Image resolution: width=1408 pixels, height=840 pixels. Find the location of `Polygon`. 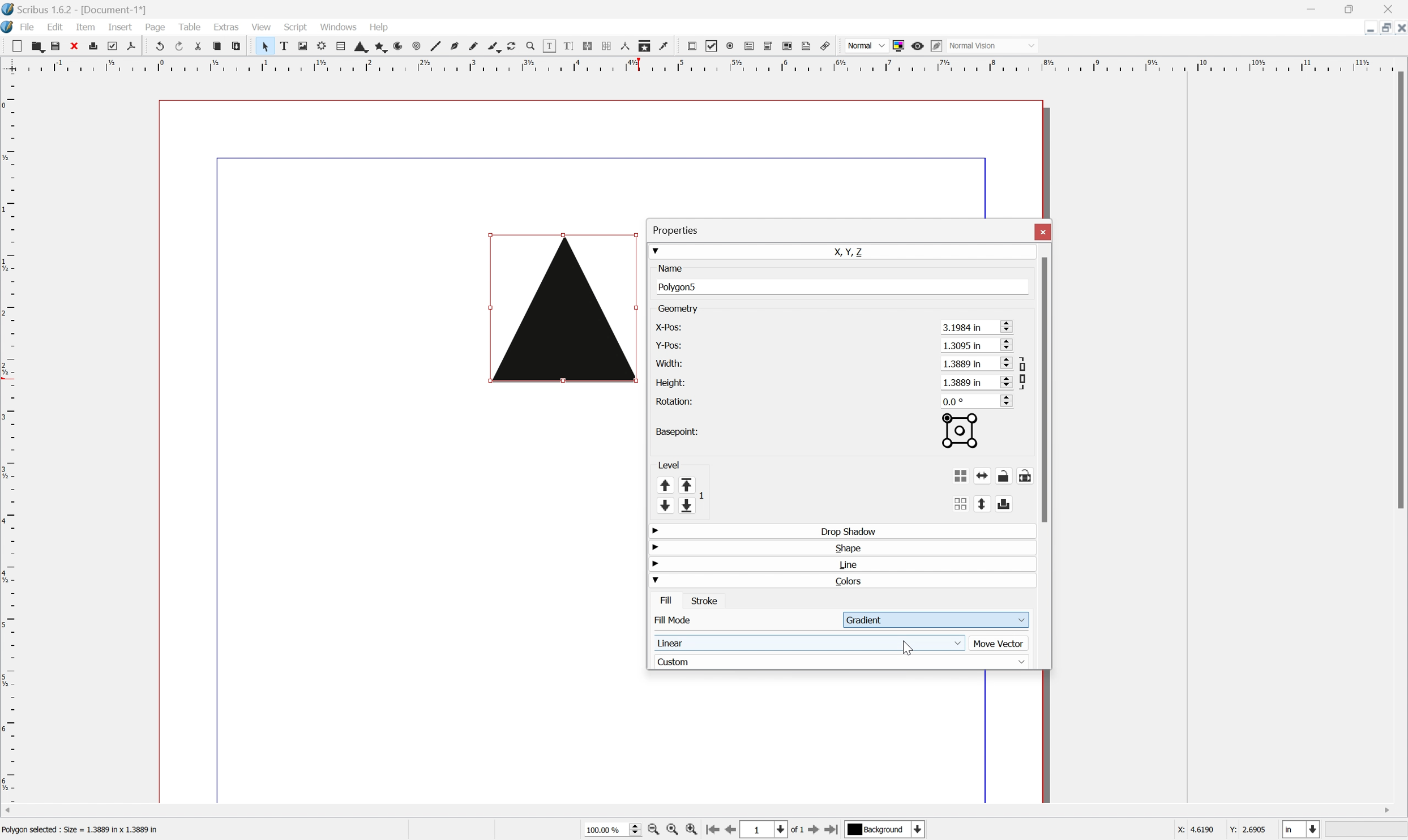

Polygon is located at coordinates (376, 47).